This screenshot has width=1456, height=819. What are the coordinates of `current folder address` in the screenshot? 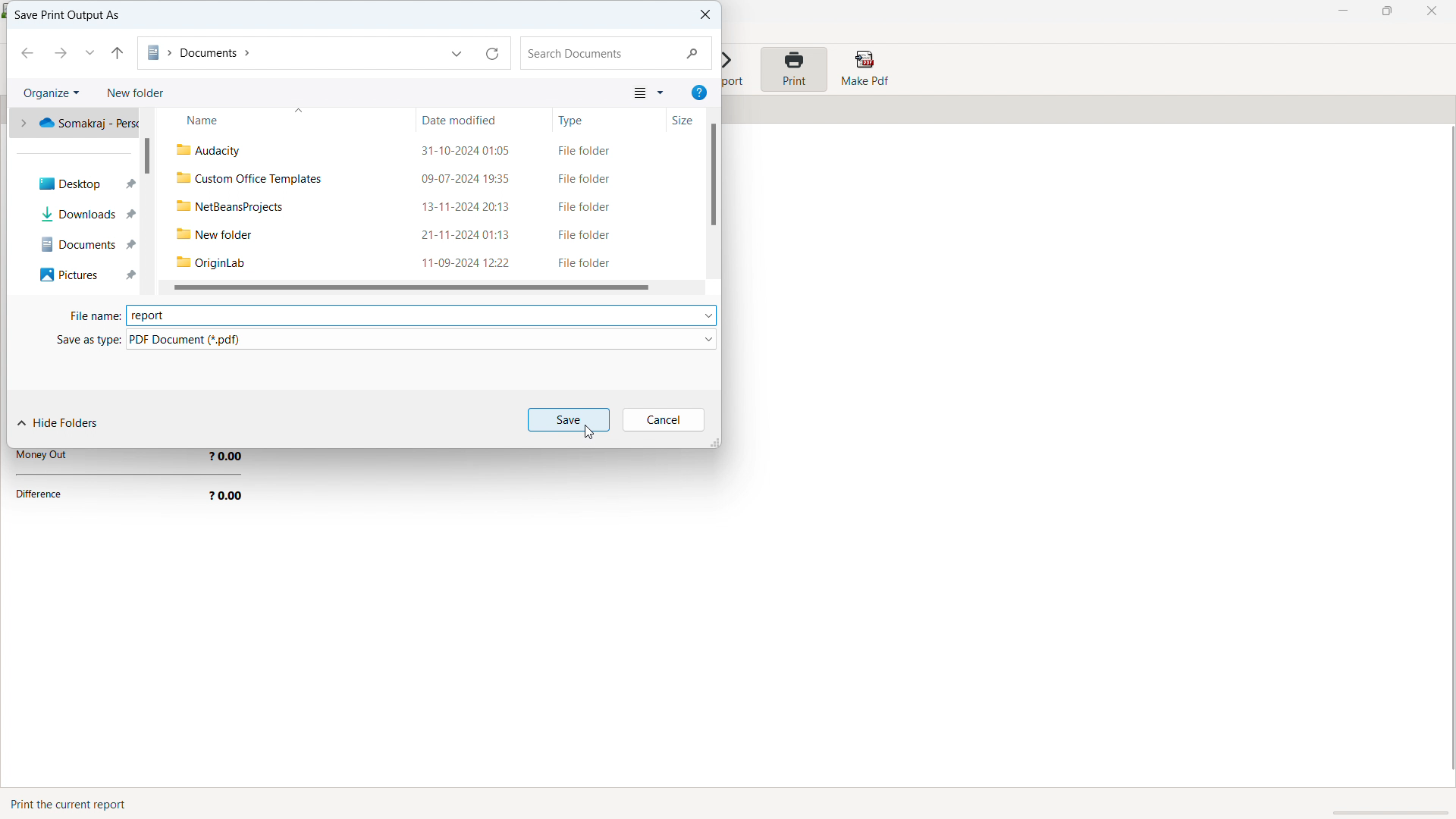 It's located at (287, 53).